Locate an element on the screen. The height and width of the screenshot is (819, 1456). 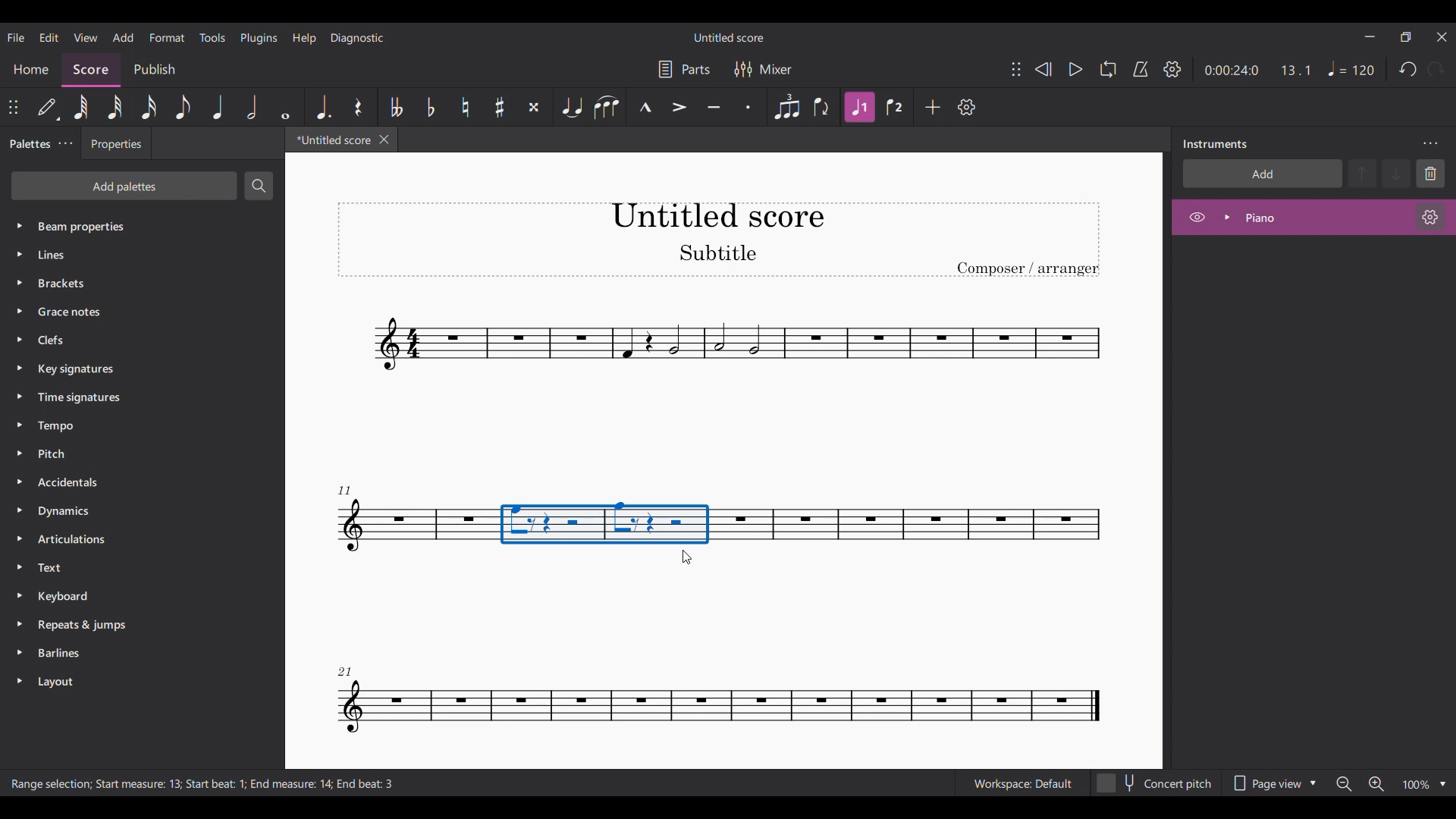
Minimize is located at coordinates (1370, 36).